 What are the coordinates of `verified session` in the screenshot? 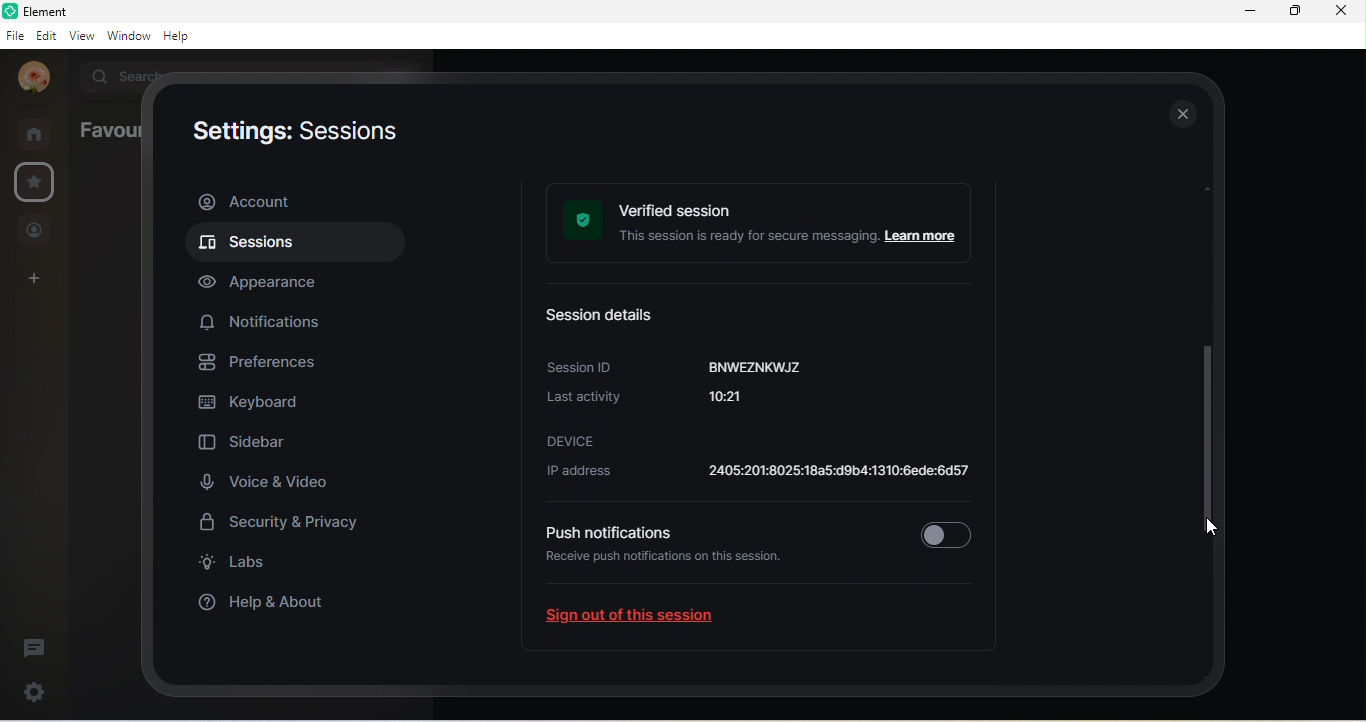 It's located at (765, 225).